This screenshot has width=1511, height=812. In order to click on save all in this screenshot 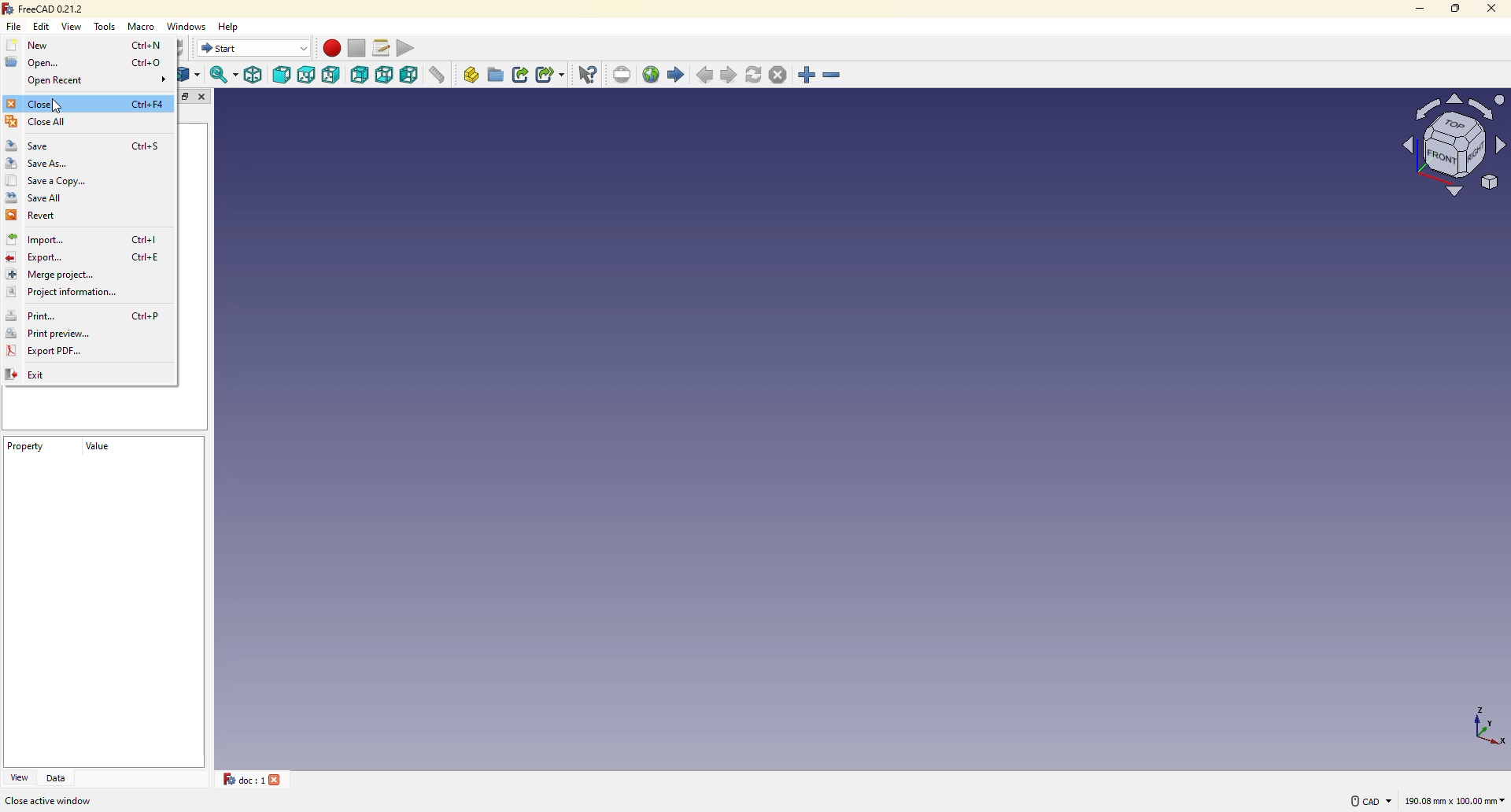, I will do `click(35, 197)`.